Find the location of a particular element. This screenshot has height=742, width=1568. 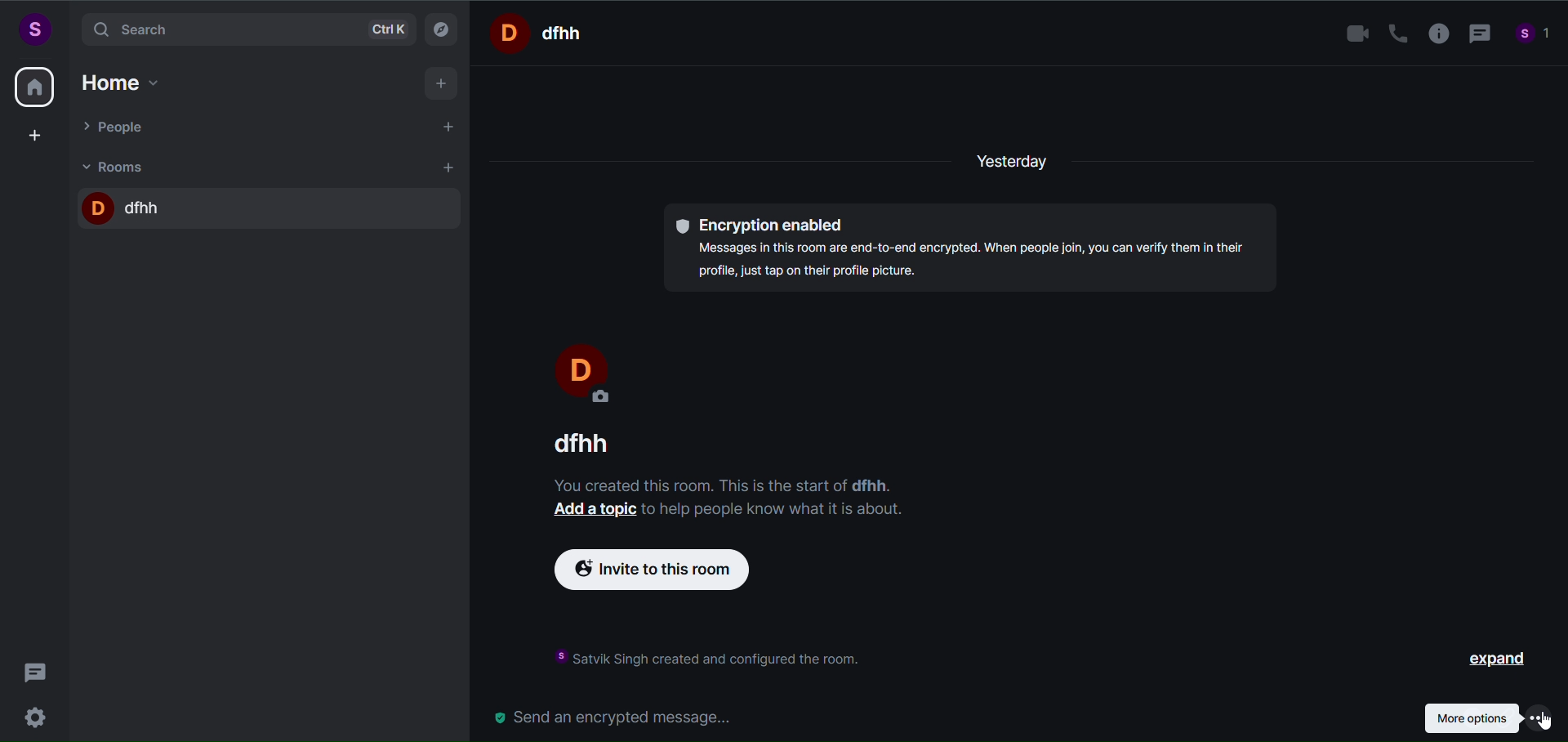

search bar is located at coordinates (245, 29).